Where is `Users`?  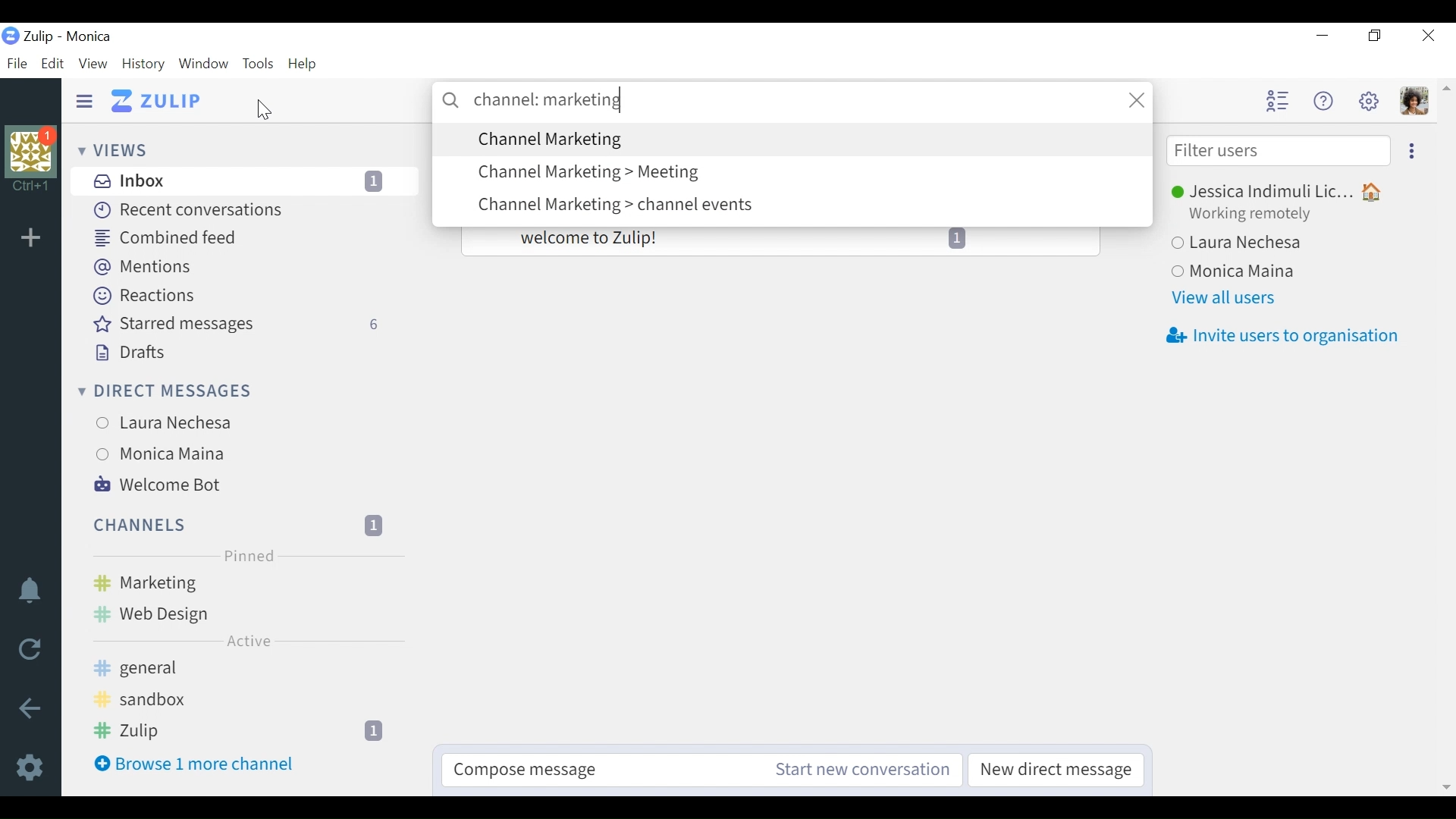
Users is located at coordinates (1278, 241).